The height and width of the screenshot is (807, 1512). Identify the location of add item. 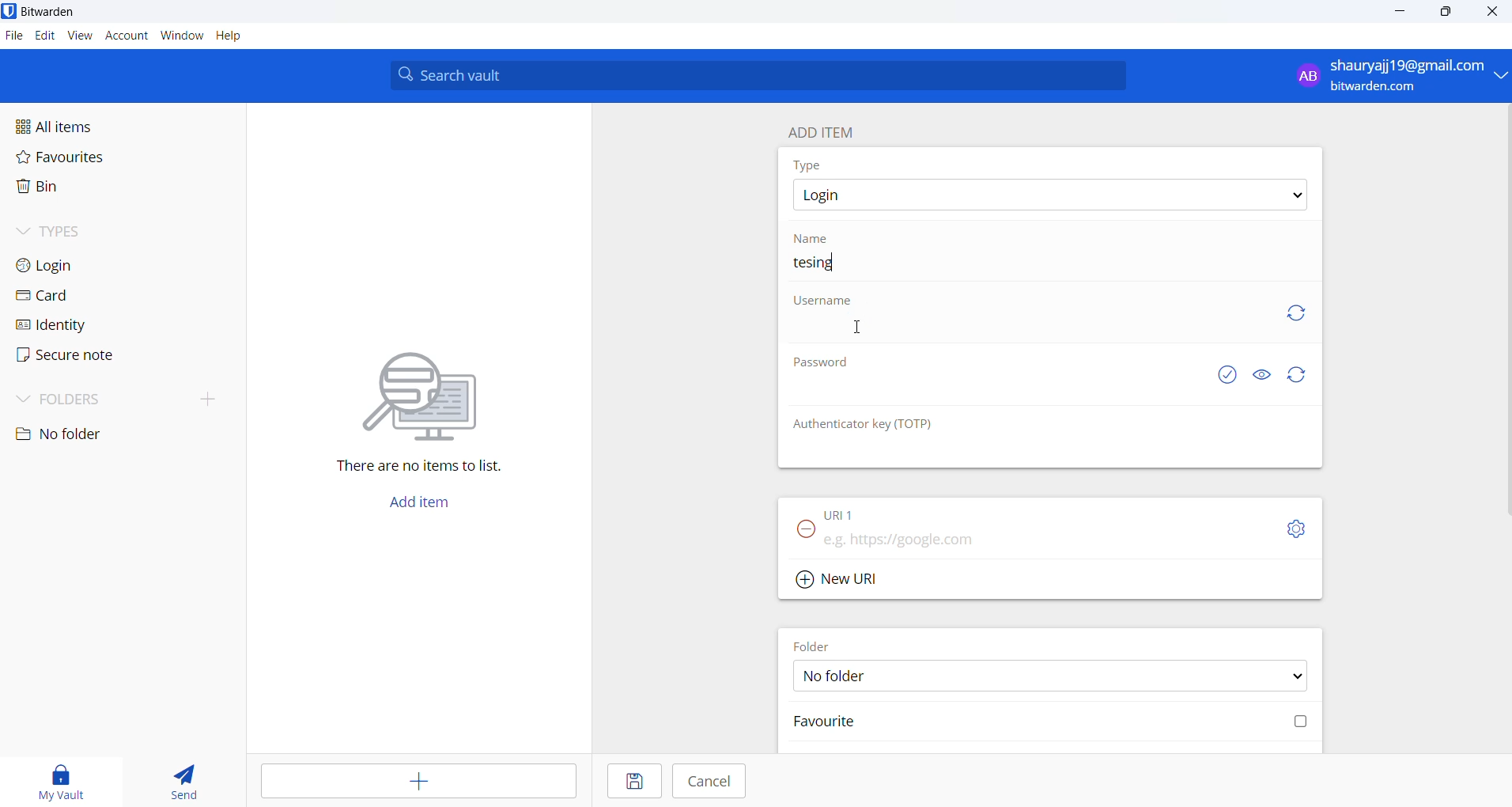
(416, 780).